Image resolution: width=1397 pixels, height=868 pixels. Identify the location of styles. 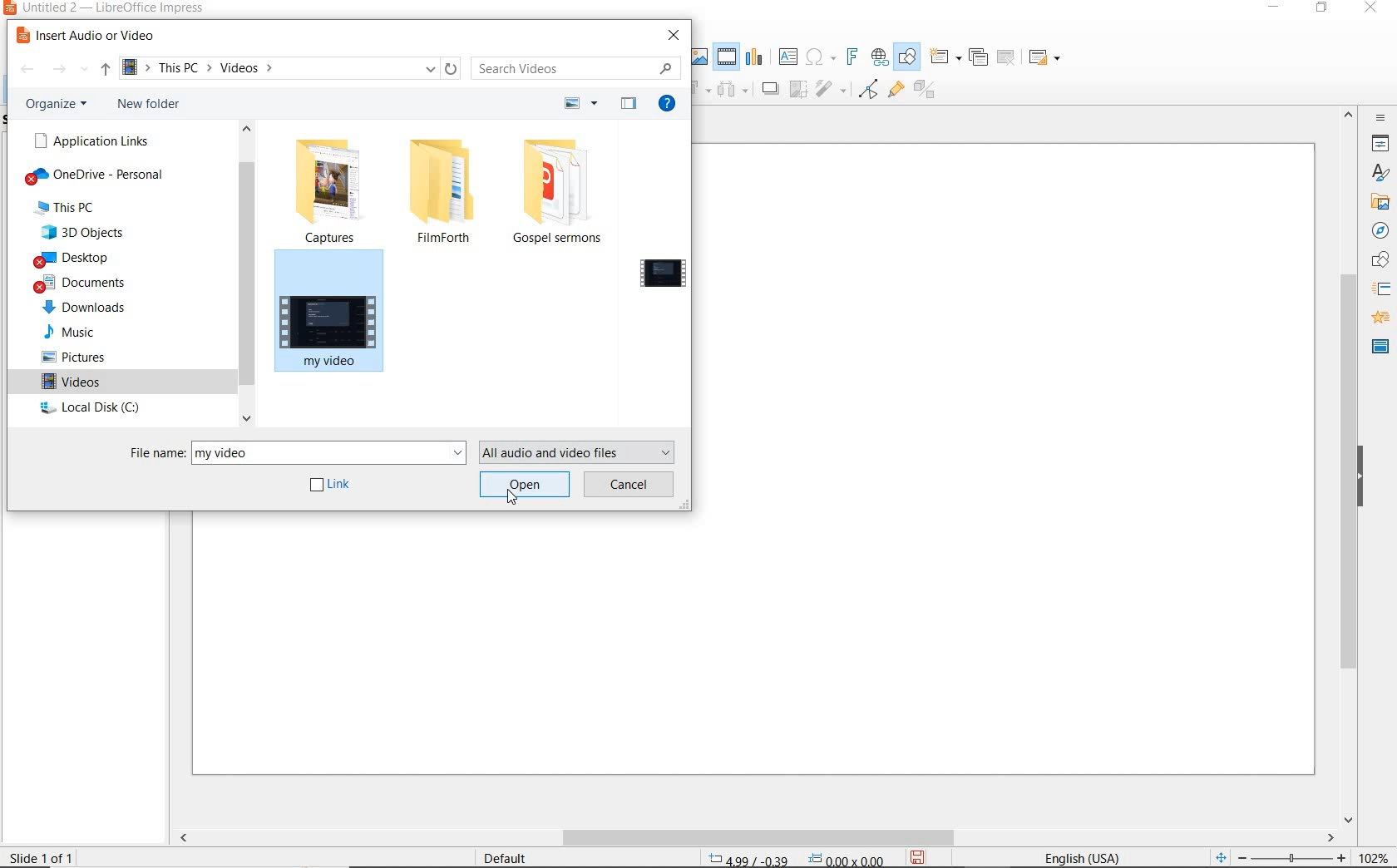
(1380, 176).